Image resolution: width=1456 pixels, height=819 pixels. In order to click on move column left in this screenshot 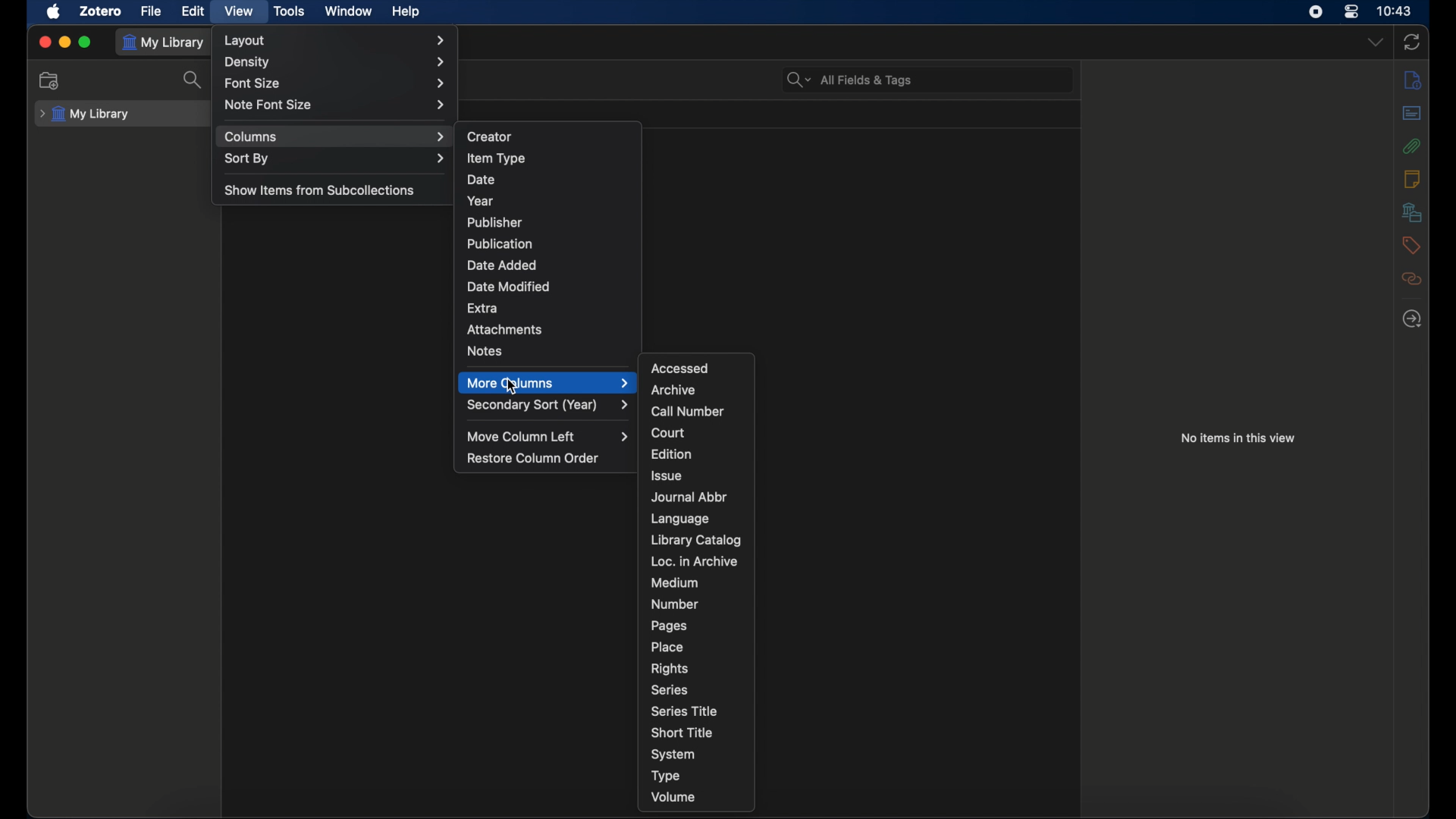, I will do `click(549, 436)`.